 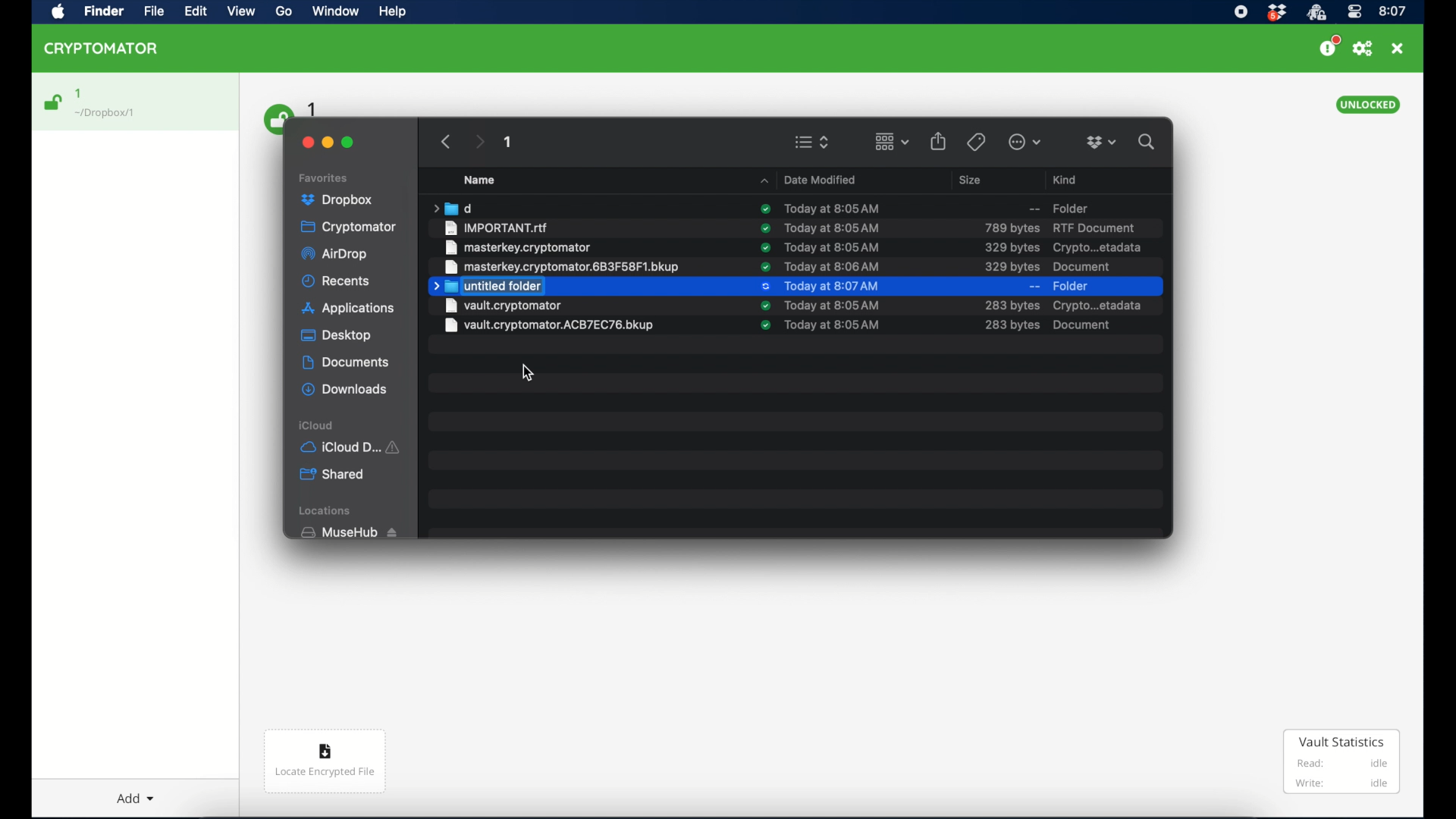 I want to click on untitled folder, so click(x=487, y=287).